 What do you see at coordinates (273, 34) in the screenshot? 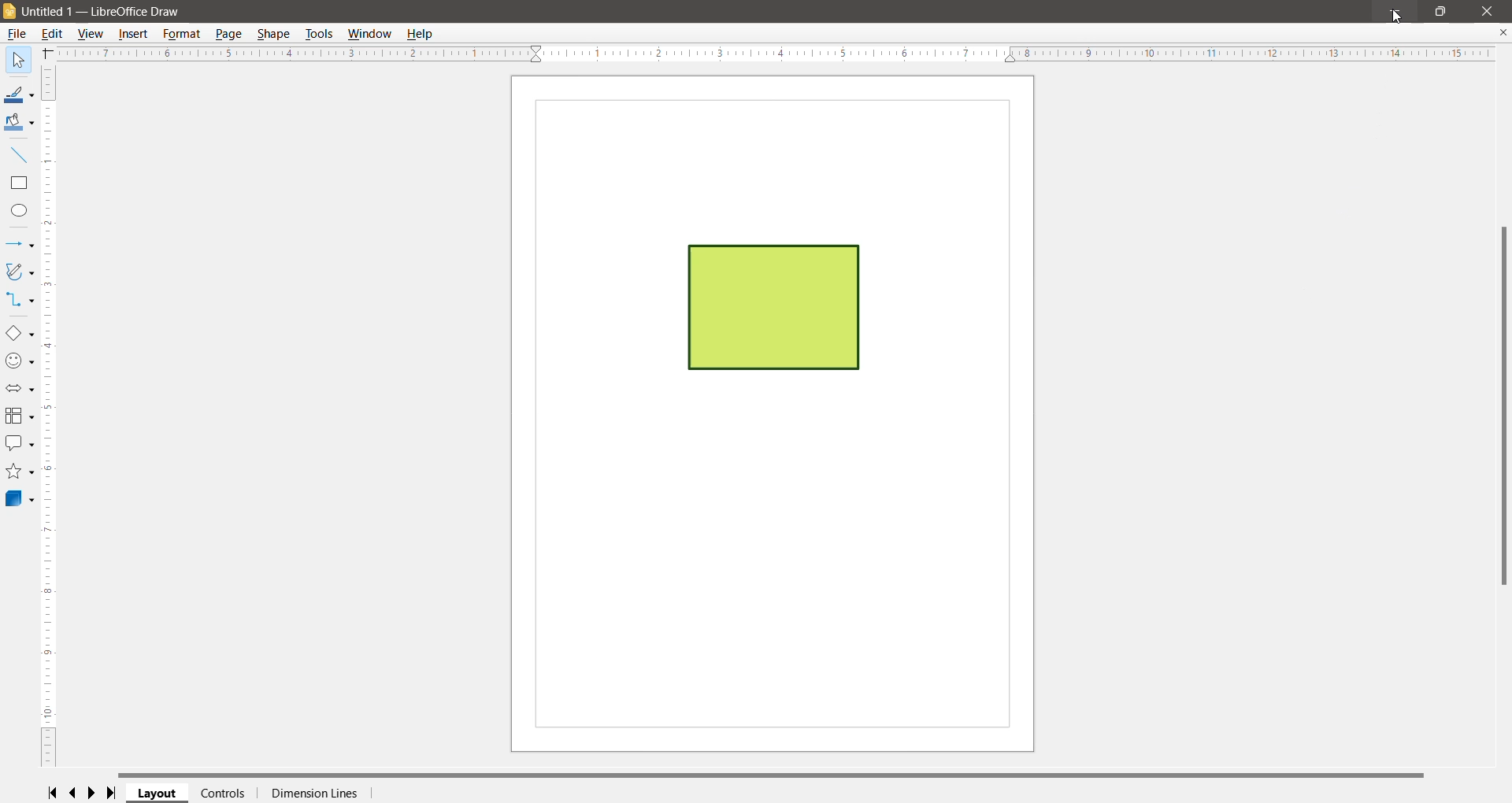
I see `Shape` at bounding box center [273, 34].